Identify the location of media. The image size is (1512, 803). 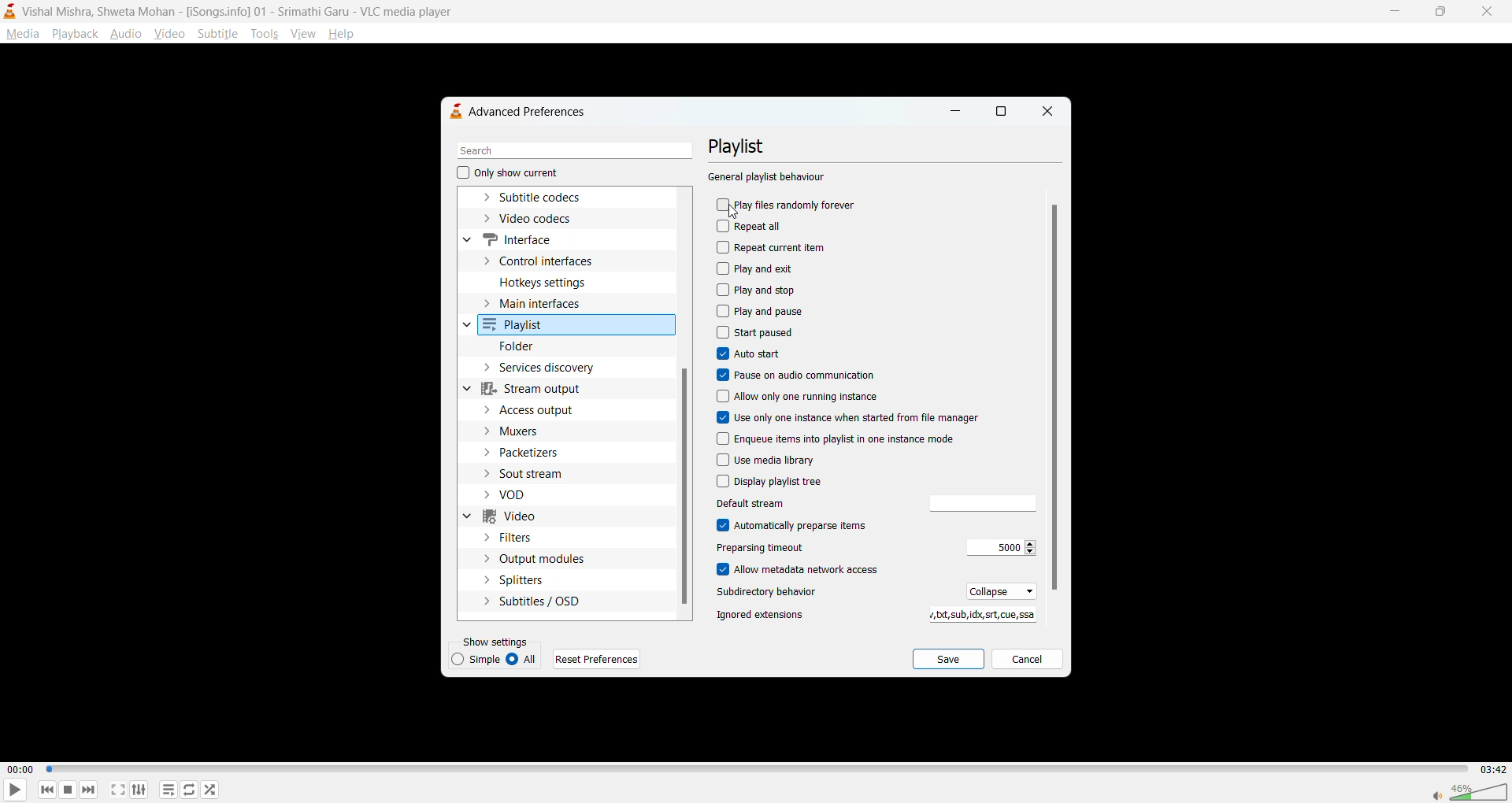
(22, 34).